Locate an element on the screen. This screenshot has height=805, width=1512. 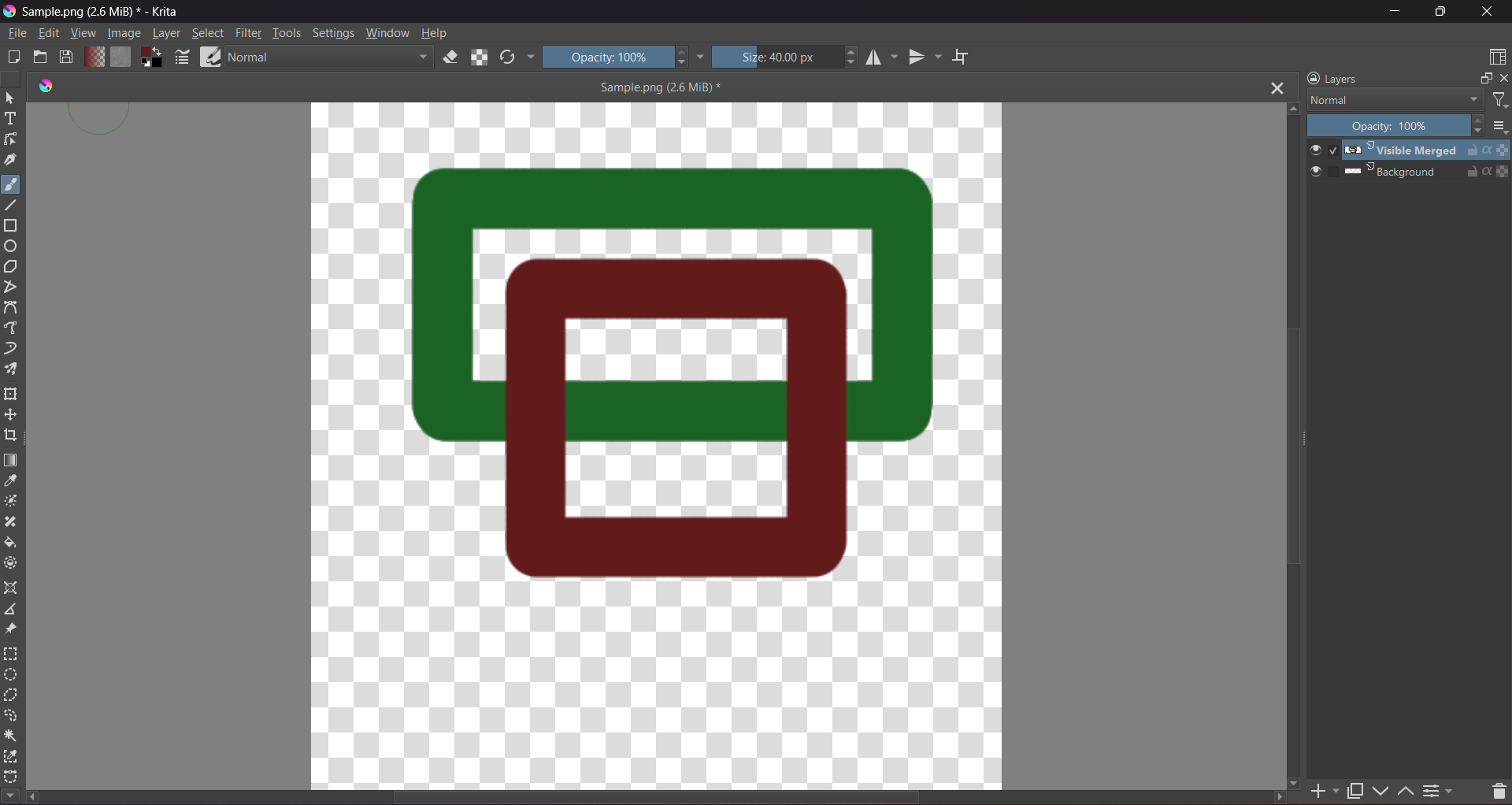
Dropdown is located at coordinates (530, 57).